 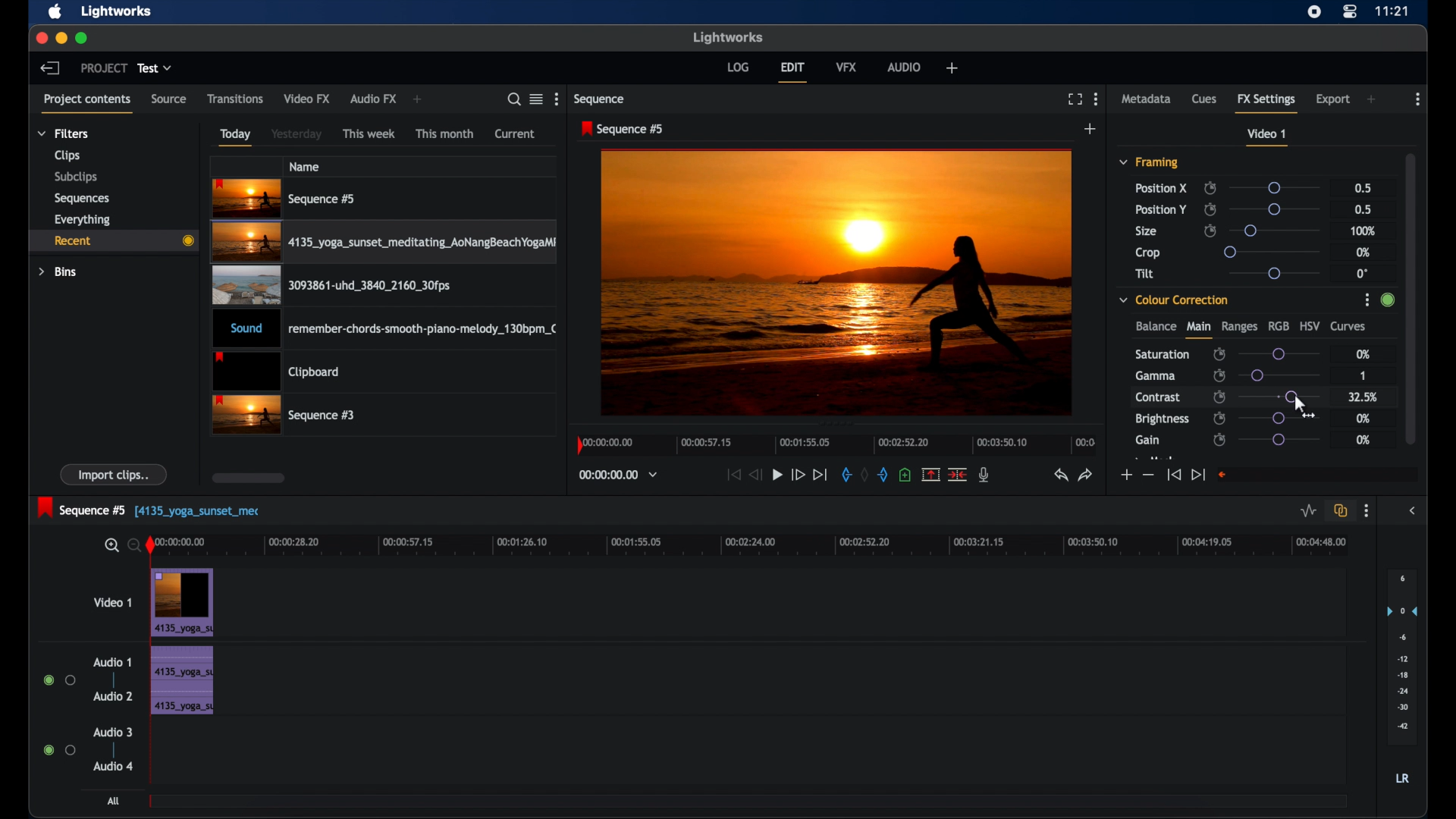 What do you see at coordinates (1273, 188) in the screenshot?
I see `slider` at bounding box center [1273, 188].